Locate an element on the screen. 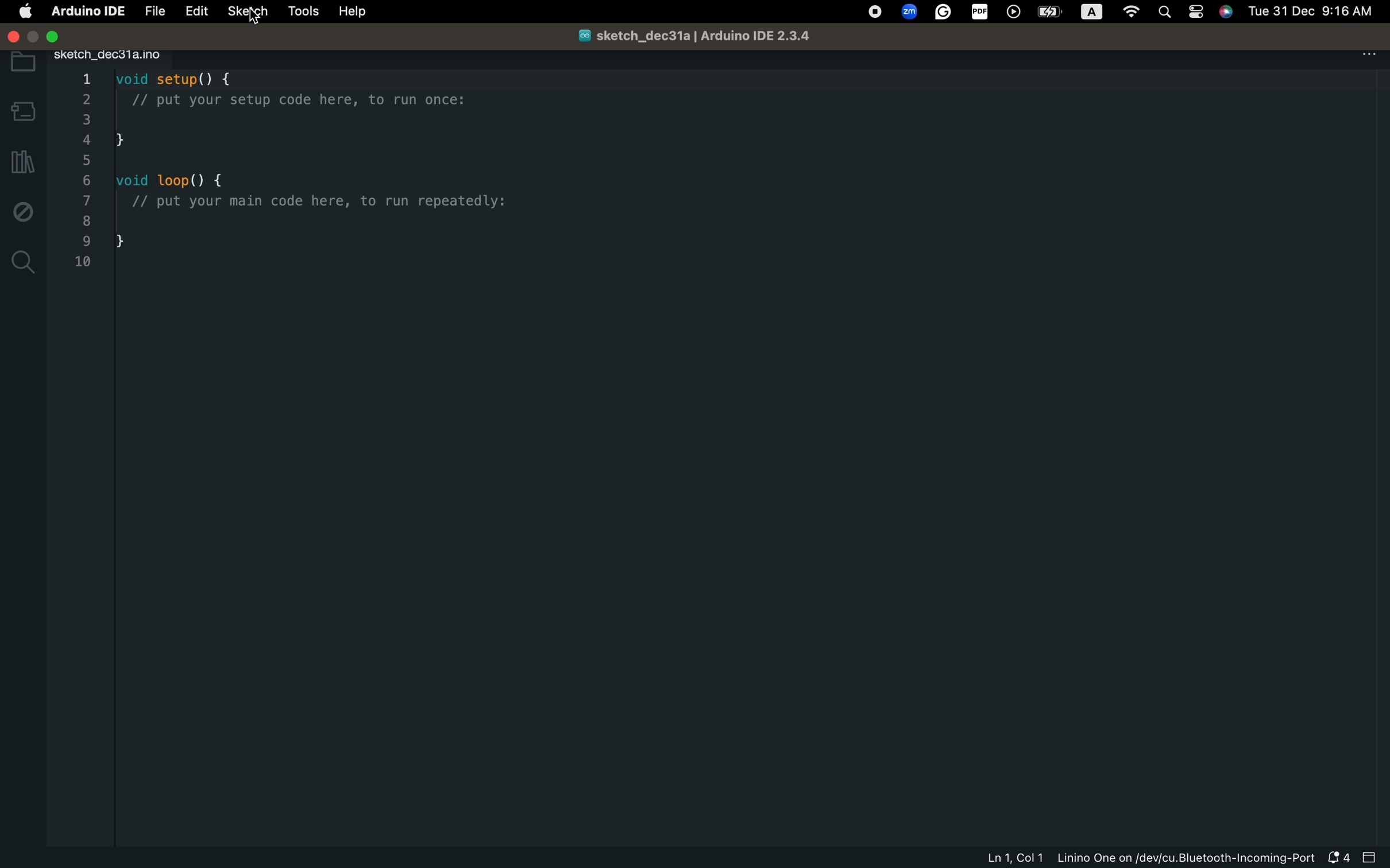  os control is located at coordinates (1122, 12).